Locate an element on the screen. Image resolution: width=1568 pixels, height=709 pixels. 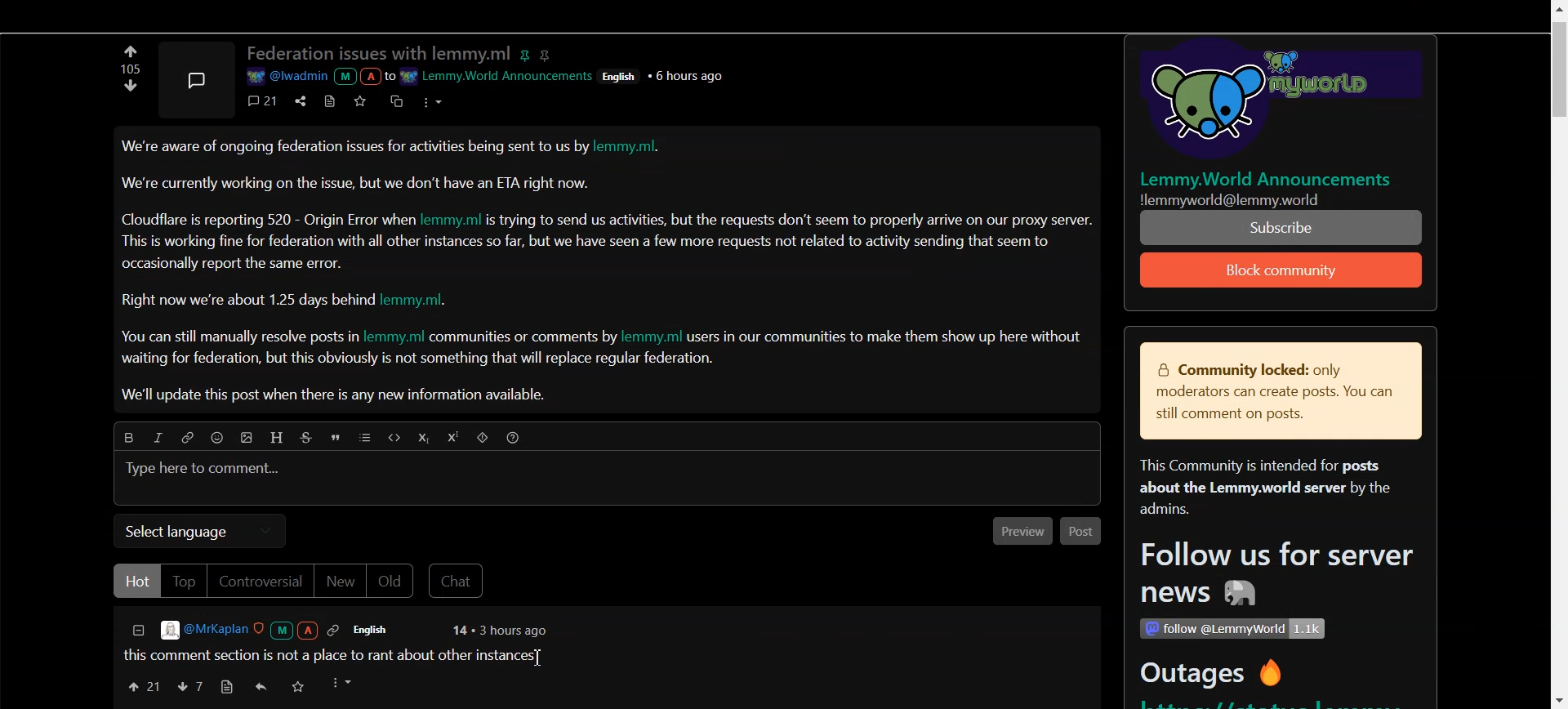
cross posts is located at coordinates (398, 100).